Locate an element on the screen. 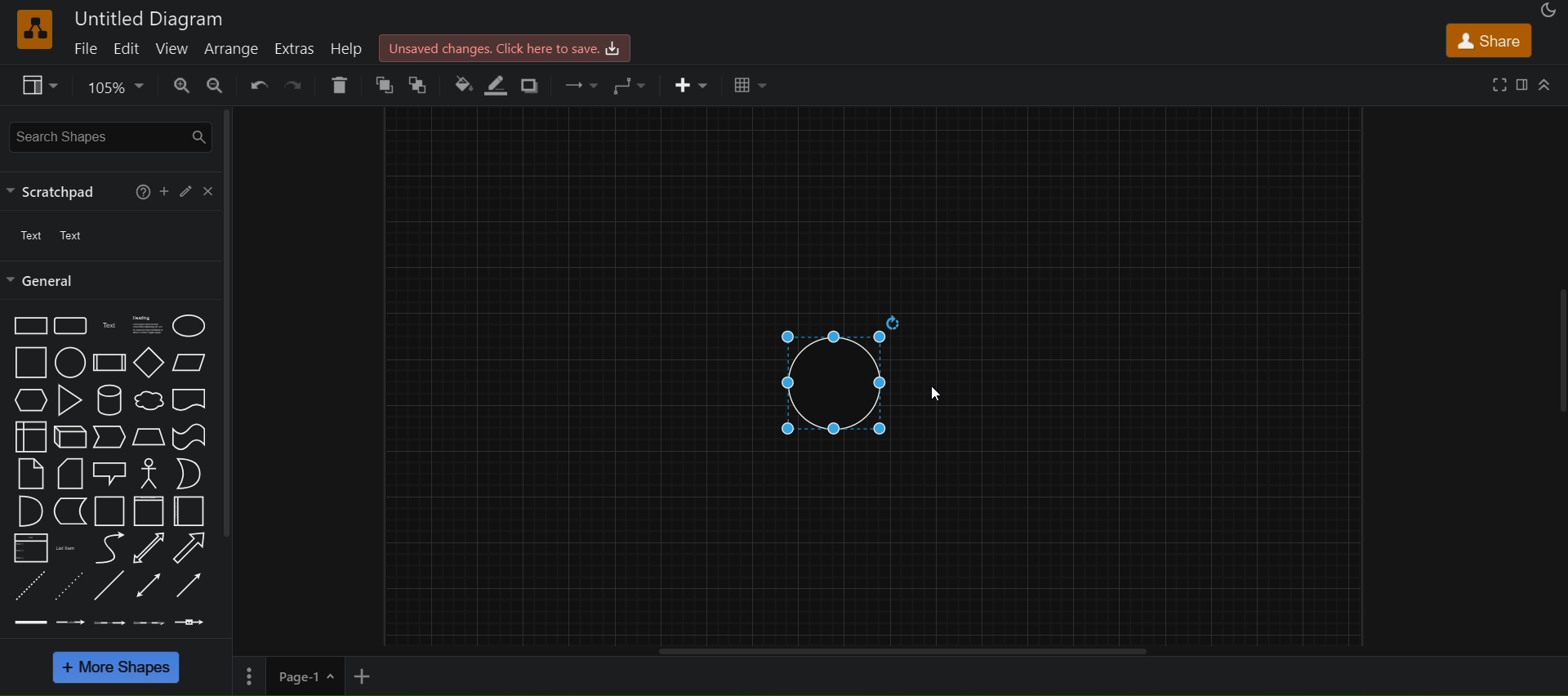 Image resolution: width=1568 pixels, height=696 pixels. help is located at coordinates (143, 194).